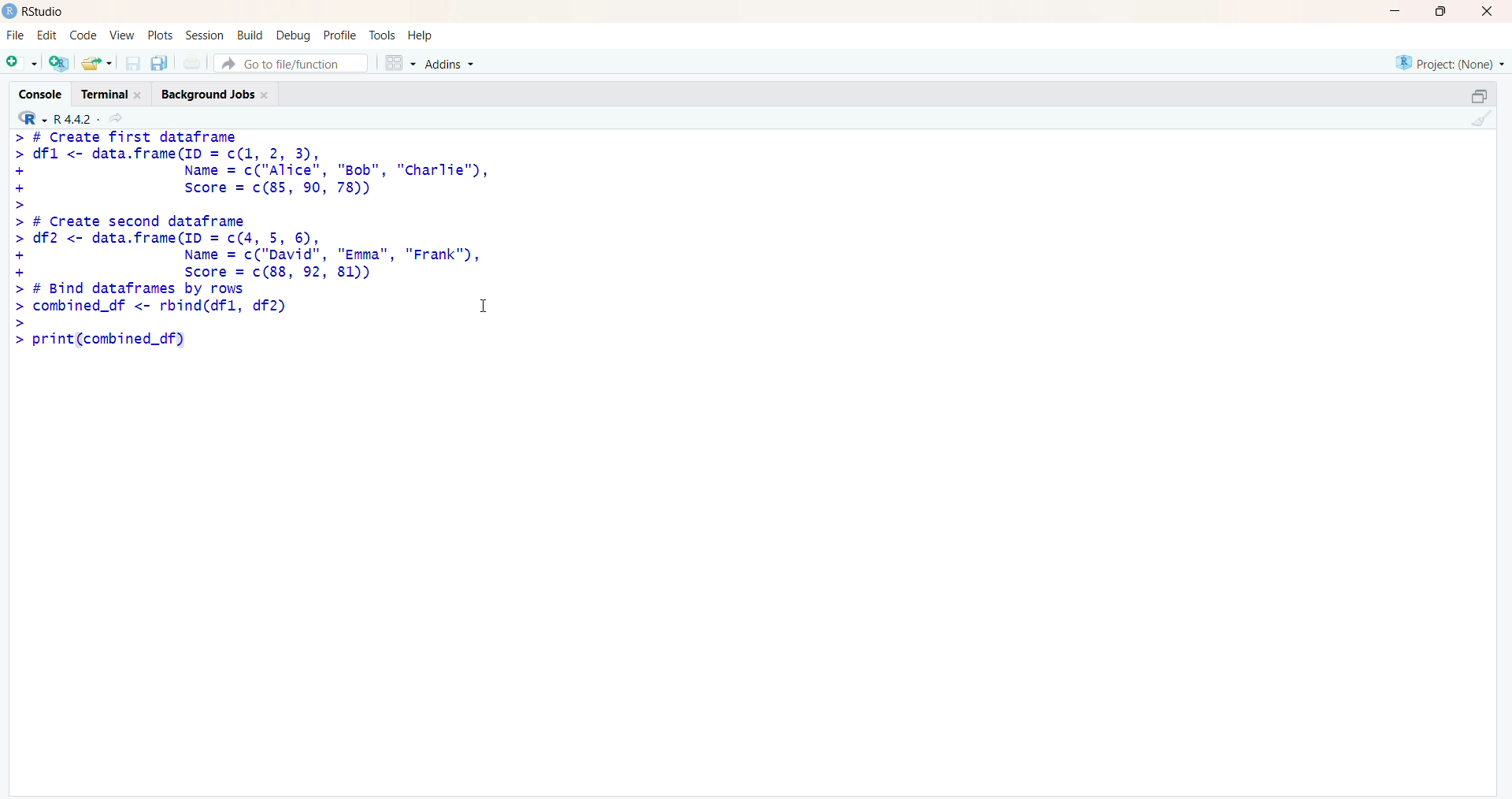 The width and height of the screenshot is (1512, 799). Describe the element at coordinates (449, 64) in the screenshot. I see `Addins ` at that location.